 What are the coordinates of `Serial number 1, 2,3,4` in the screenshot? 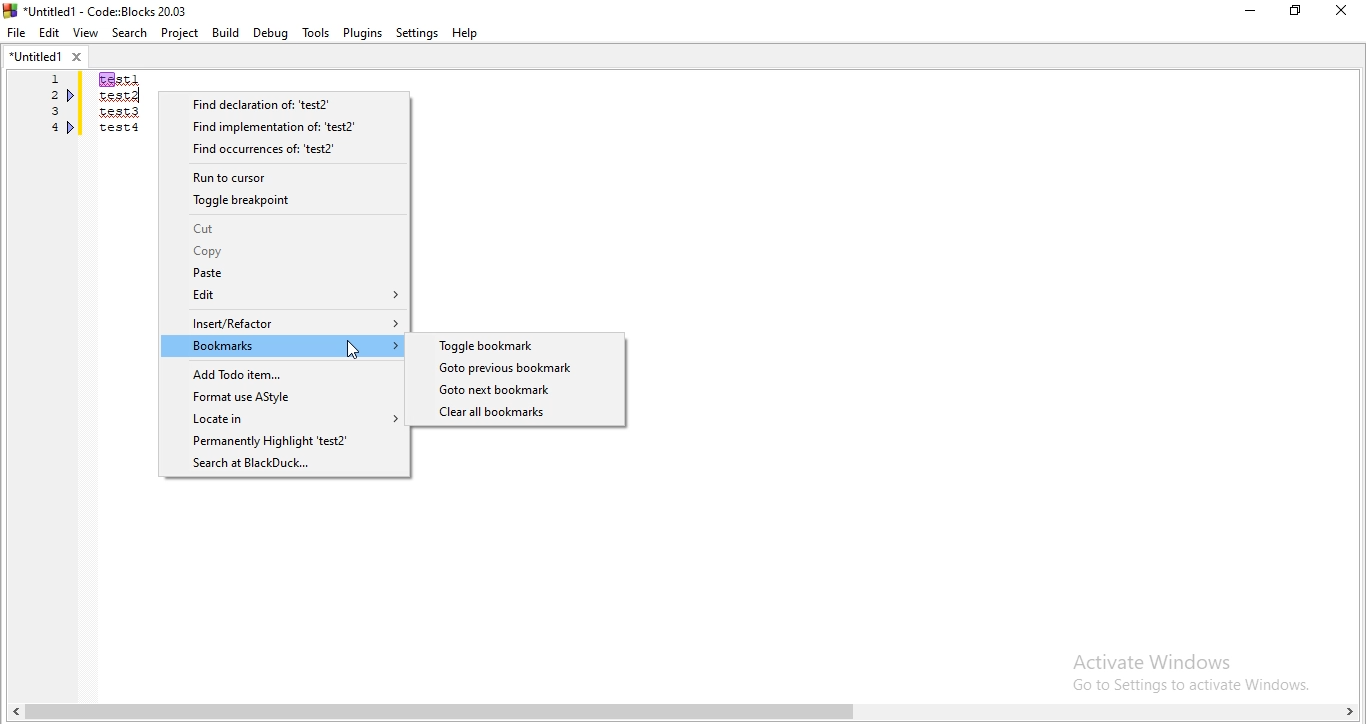 It's located at (52, 107).